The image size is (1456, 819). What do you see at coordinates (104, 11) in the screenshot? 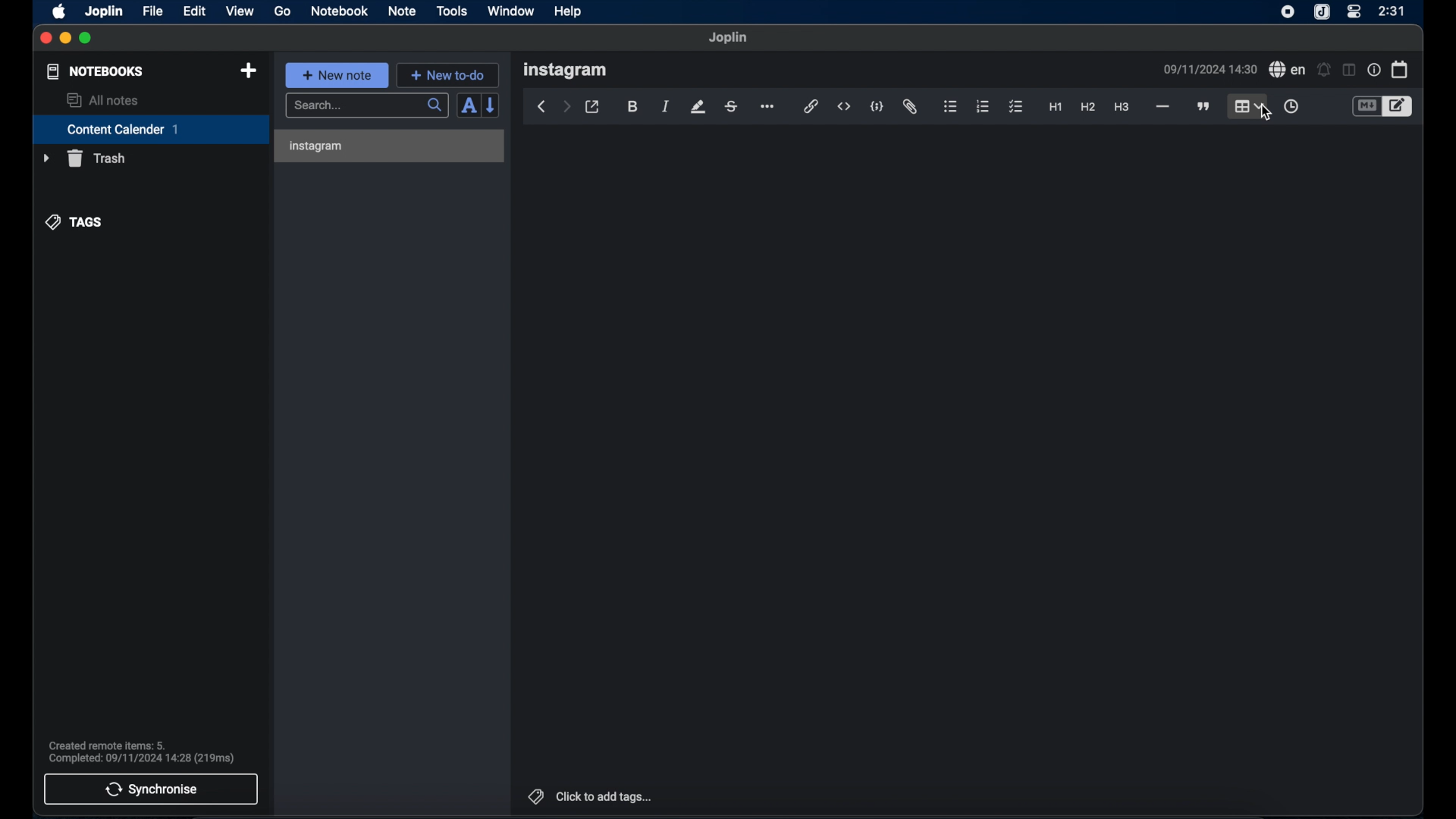
I see `joplin` at bounding box center [104, 11].